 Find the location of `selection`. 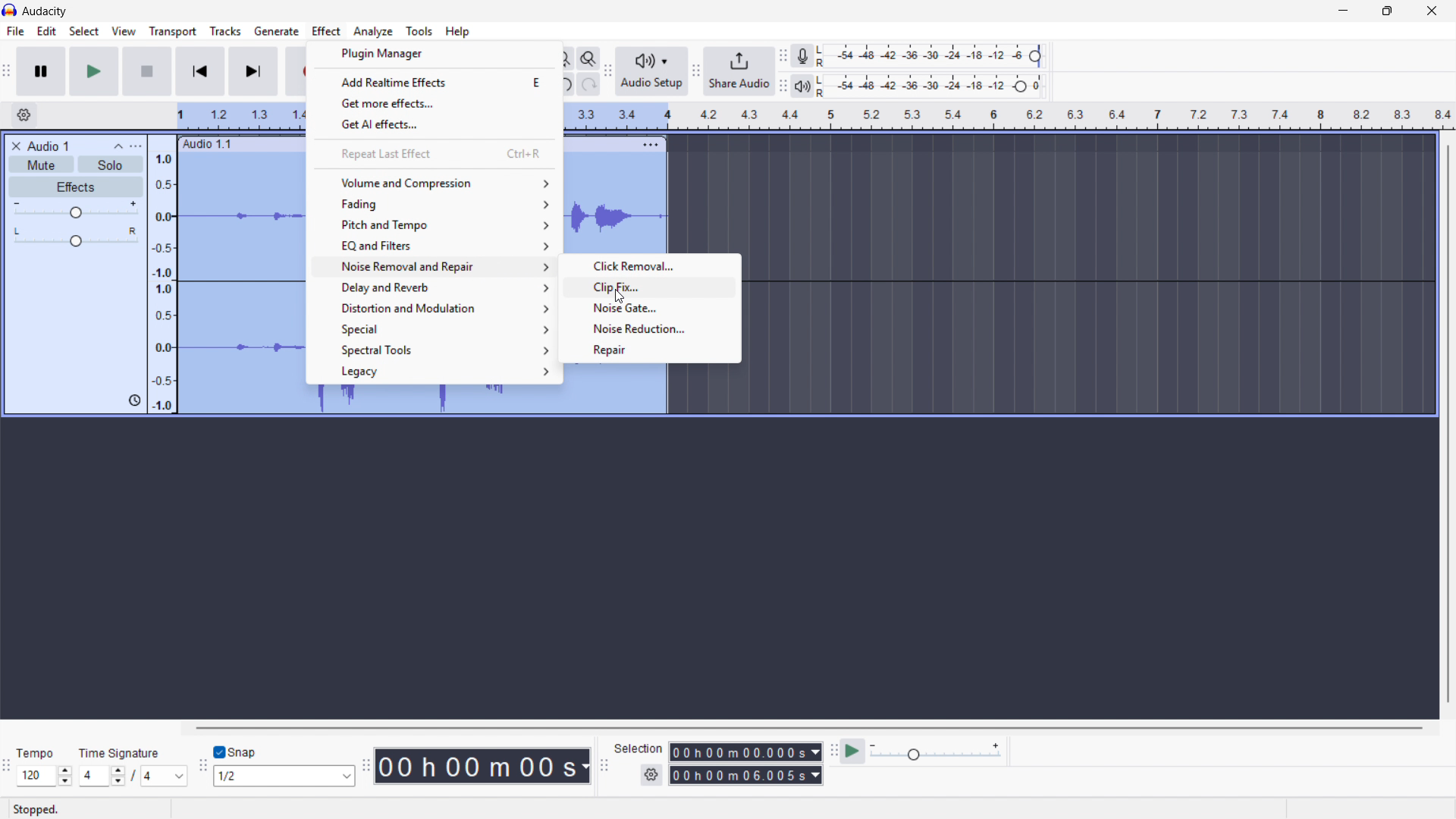

selection is located at coordinates (639, 748).